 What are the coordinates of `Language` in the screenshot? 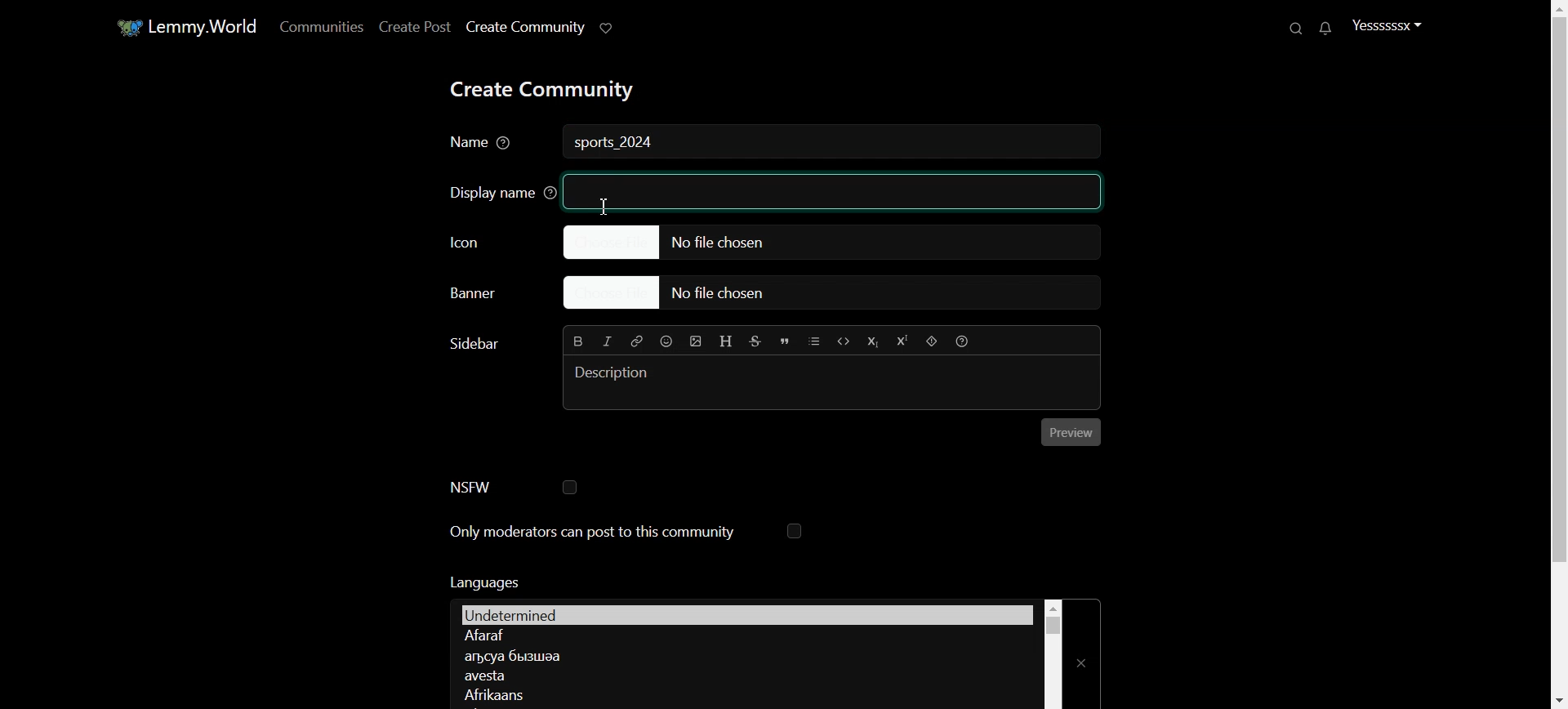 It's located at (744, 676).